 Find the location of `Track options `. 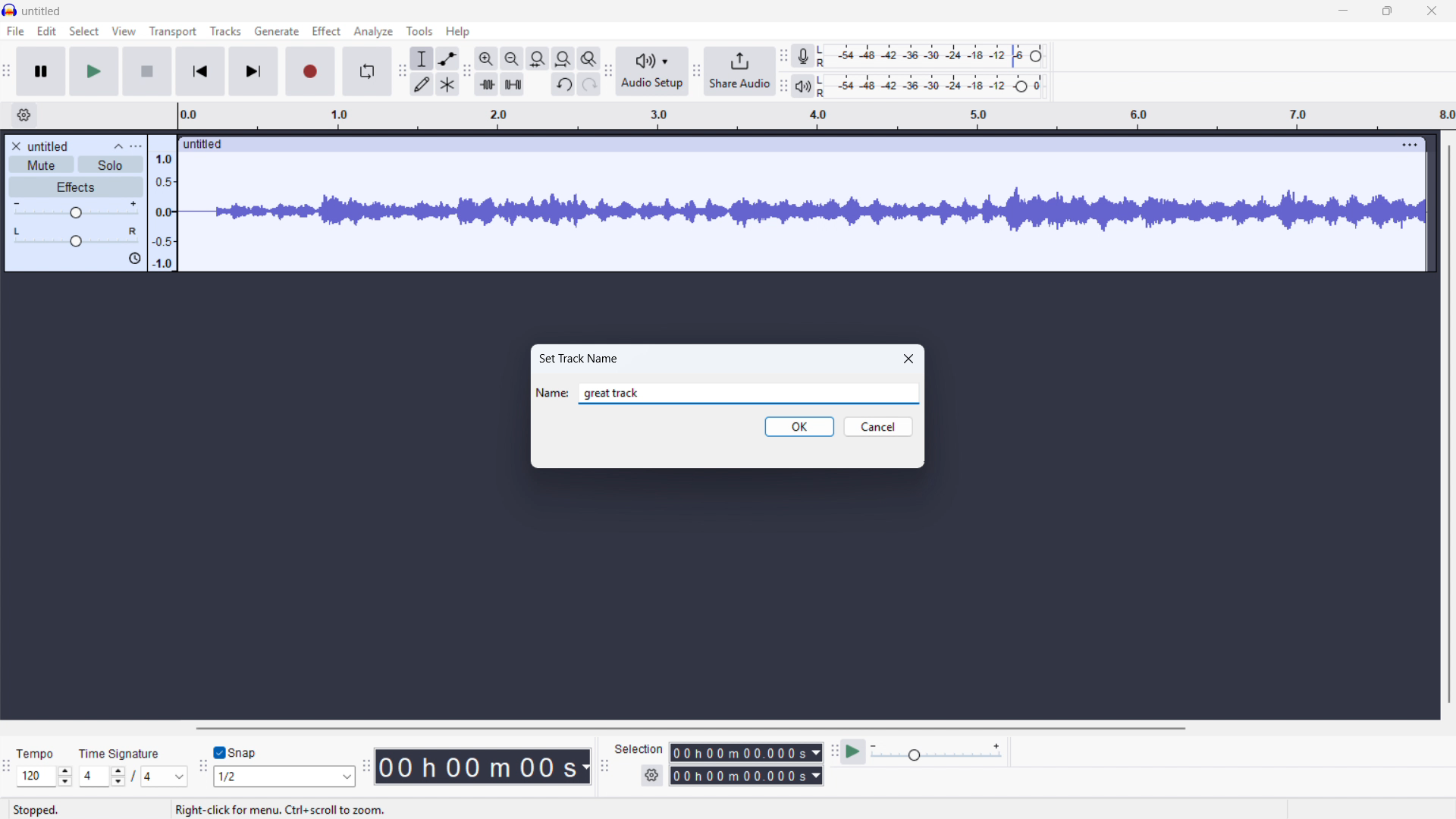

Track options  is located at coordinates (1410, 144).